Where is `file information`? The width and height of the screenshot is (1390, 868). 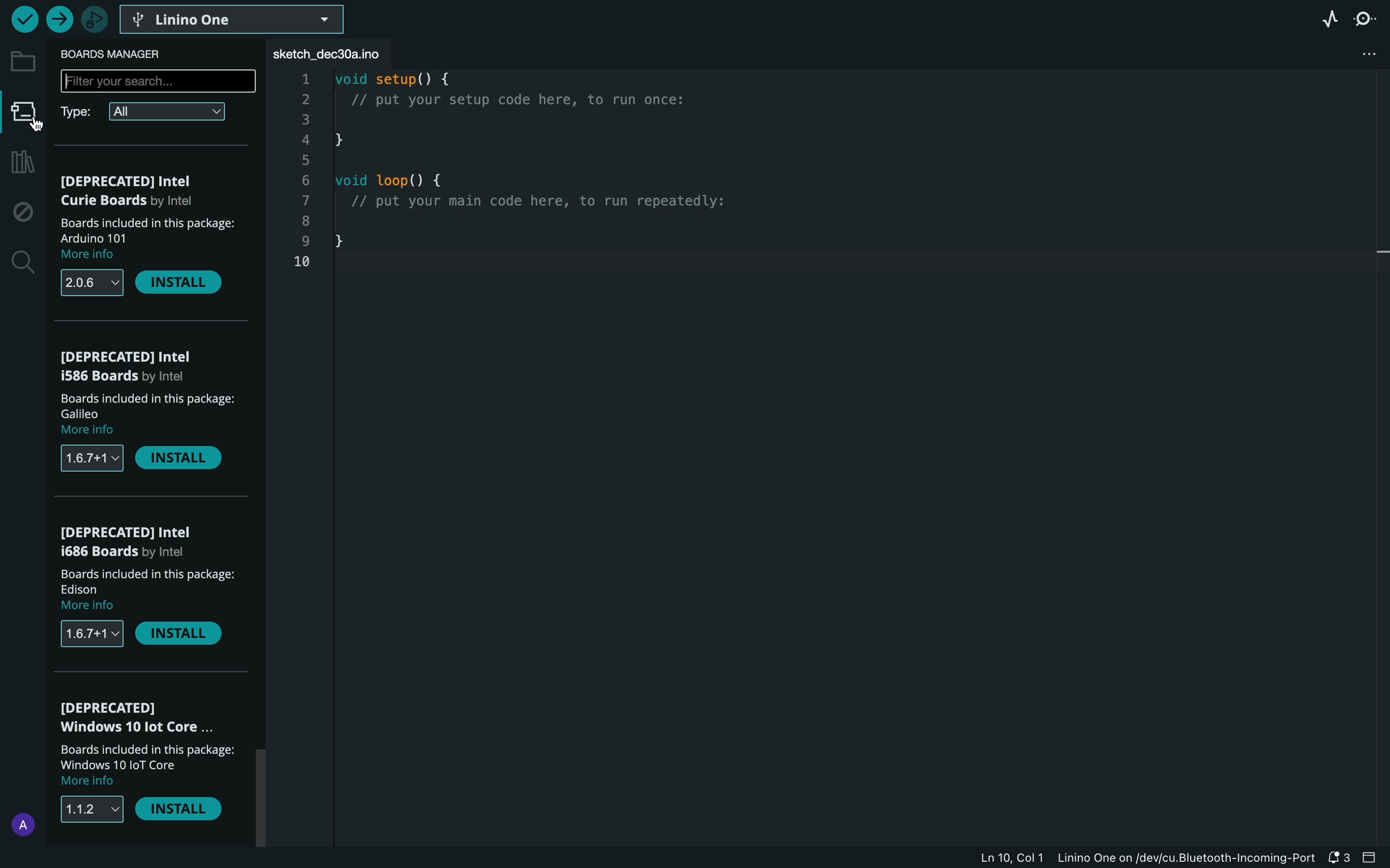 file information is located at coordinates (1122, 859).